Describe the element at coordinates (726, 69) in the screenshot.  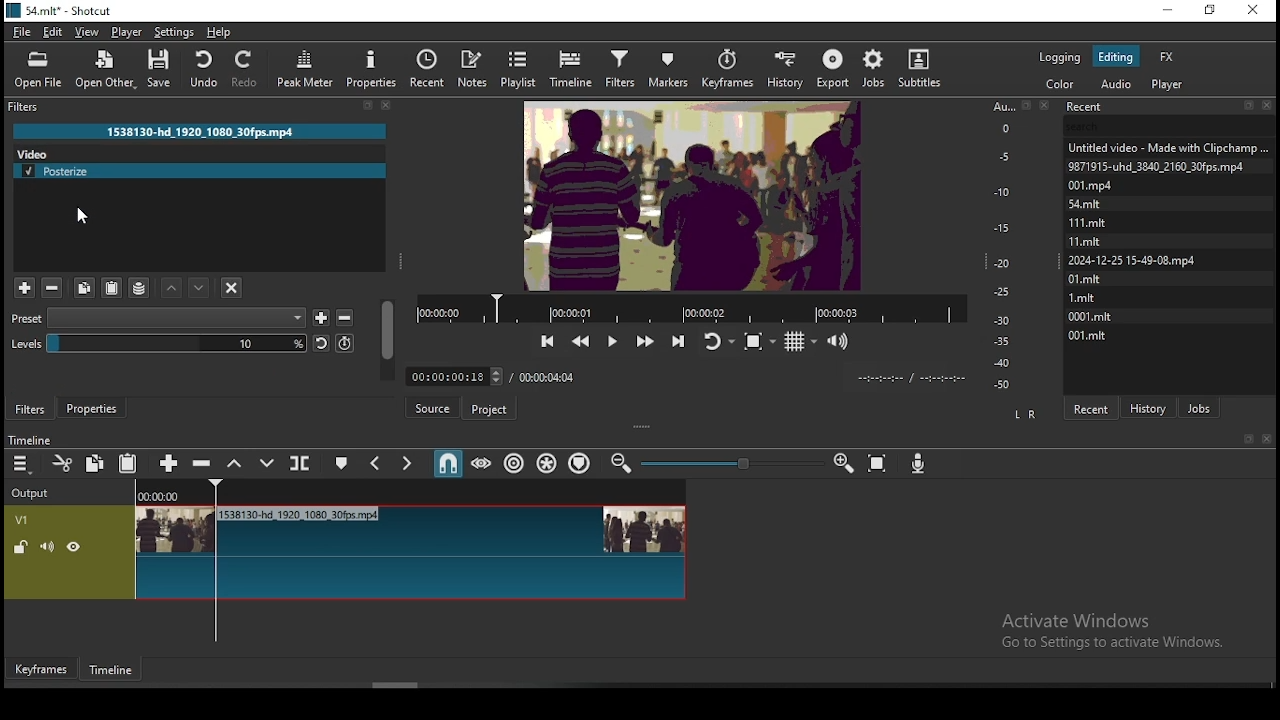
I see `keyframes` at that location.